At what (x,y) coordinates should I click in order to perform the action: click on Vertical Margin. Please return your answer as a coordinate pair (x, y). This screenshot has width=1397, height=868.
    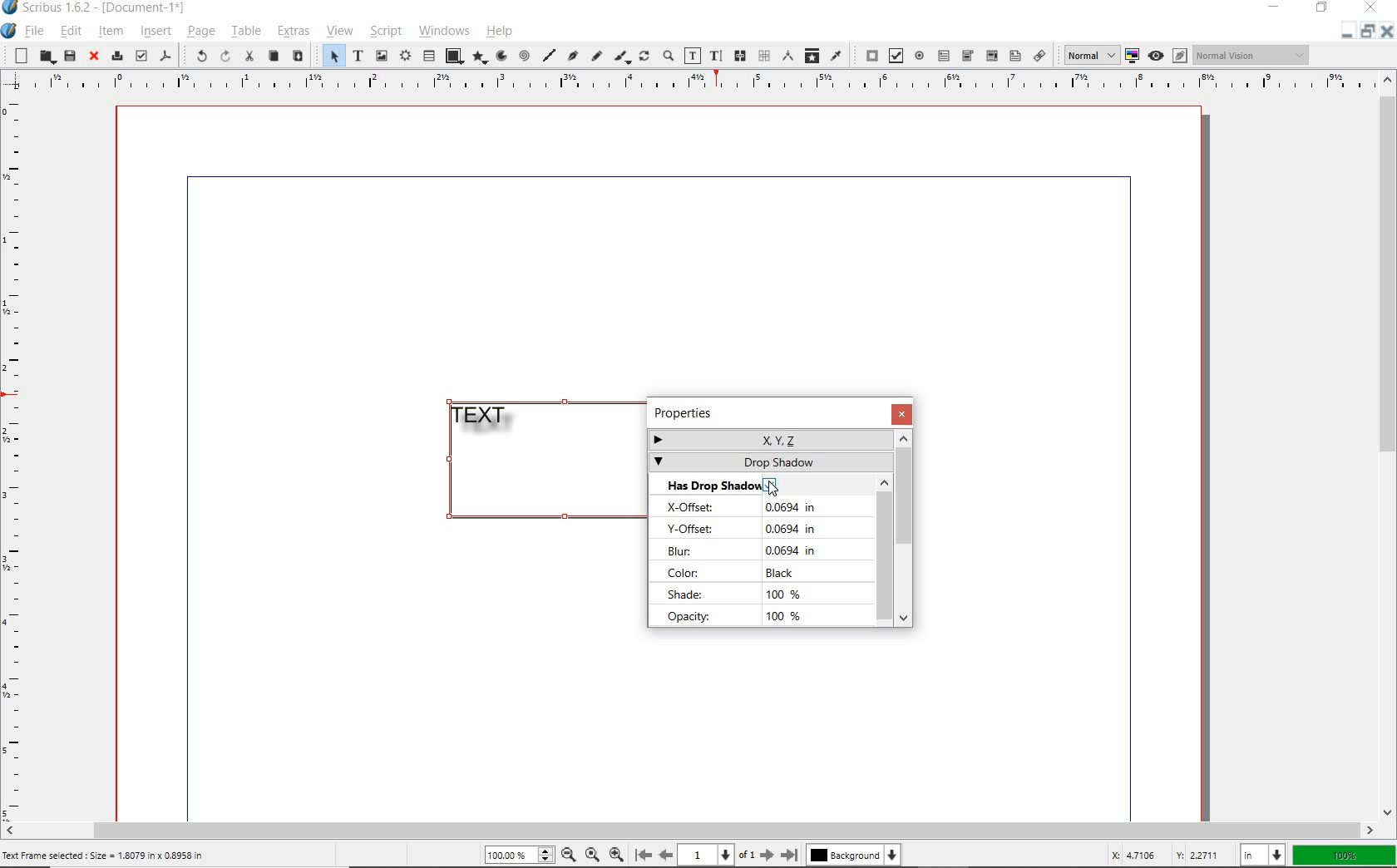
    Looking at the image, I should click on (19, 457).